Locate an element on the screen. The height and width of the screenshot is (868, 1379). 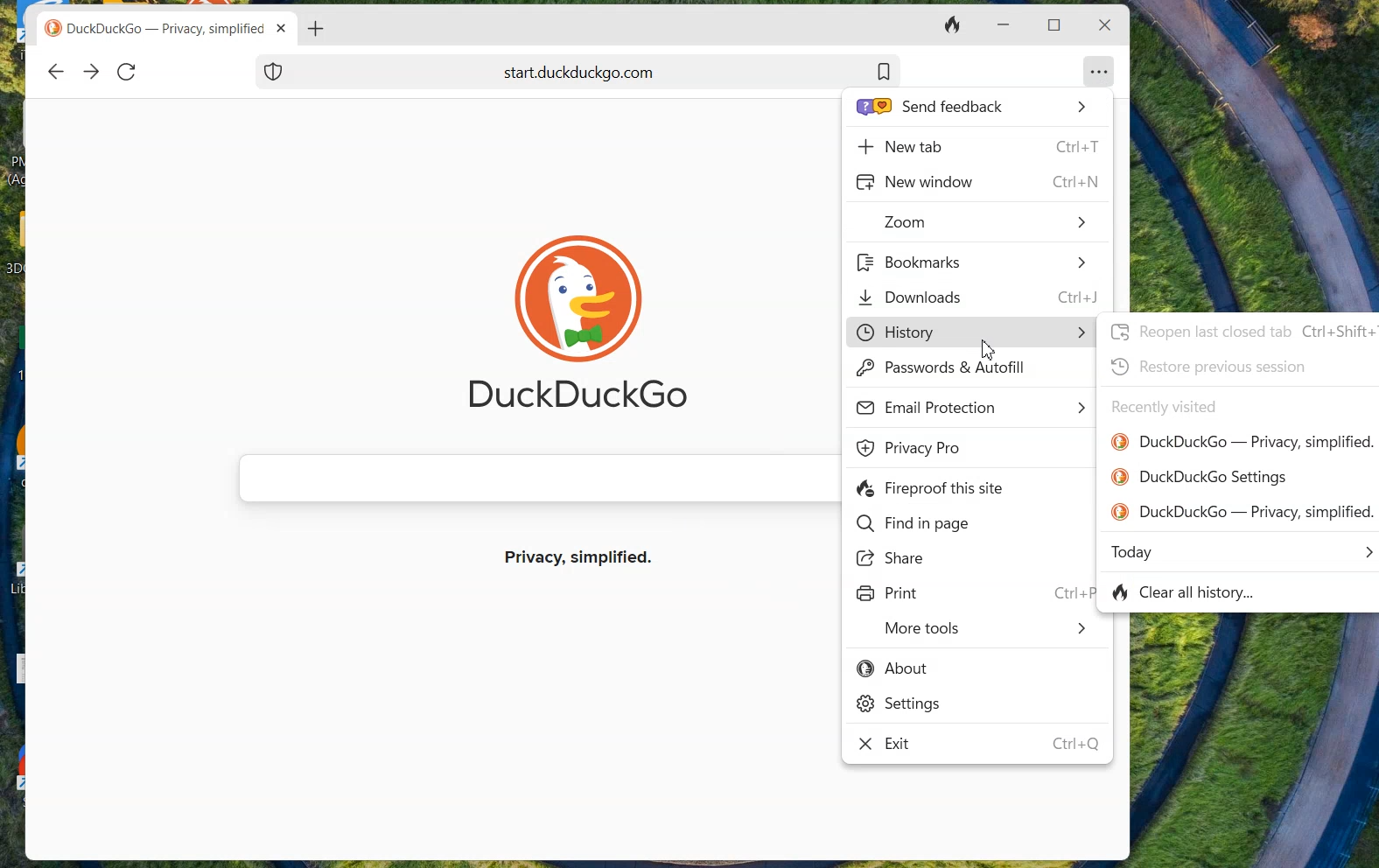
Privacy Pro is located at coordinates (913, 449).